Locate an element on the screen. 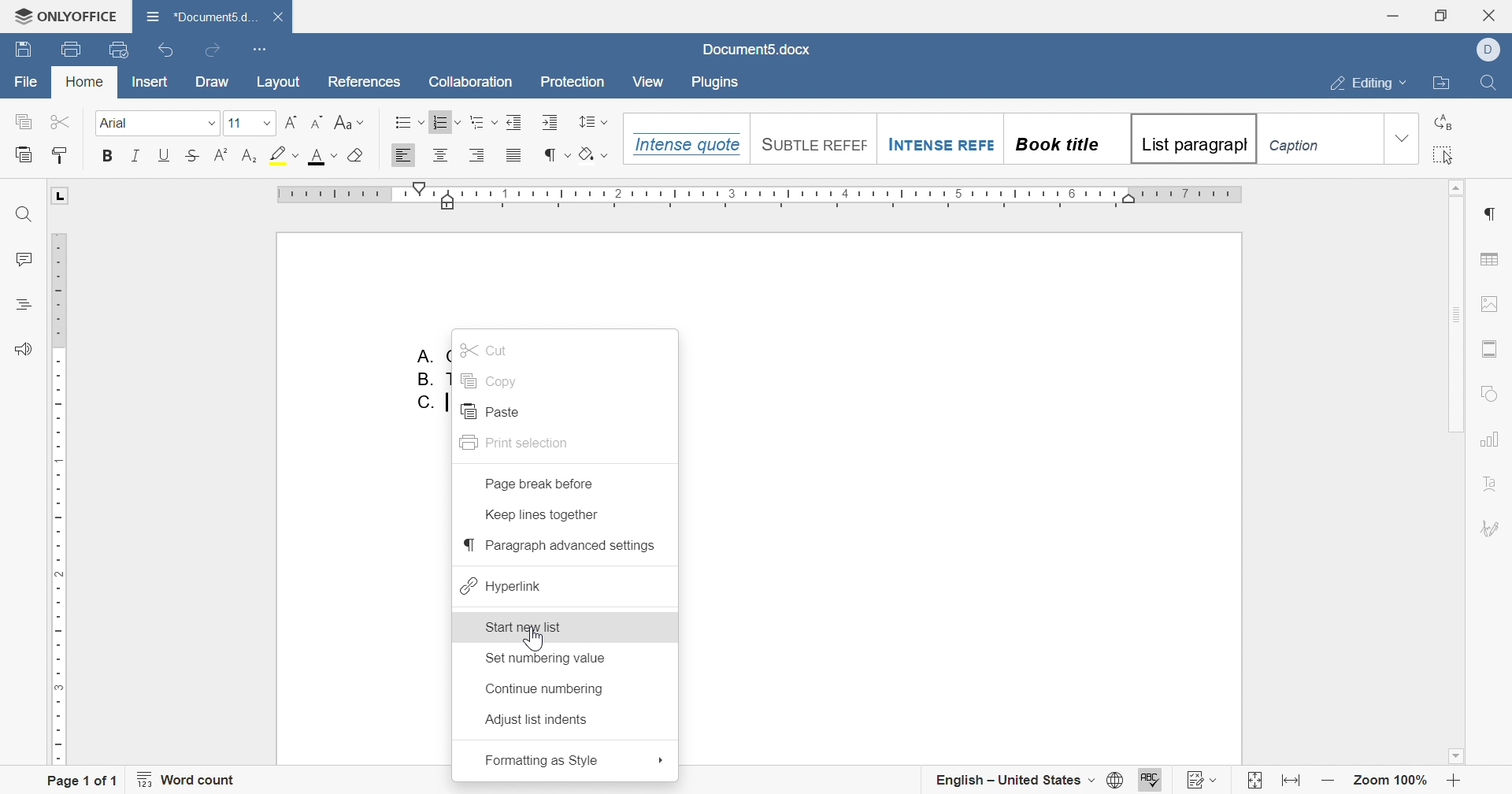 The width and height of the screenshot is (1512, 794). minimize is located at coordinates (1392, 14).